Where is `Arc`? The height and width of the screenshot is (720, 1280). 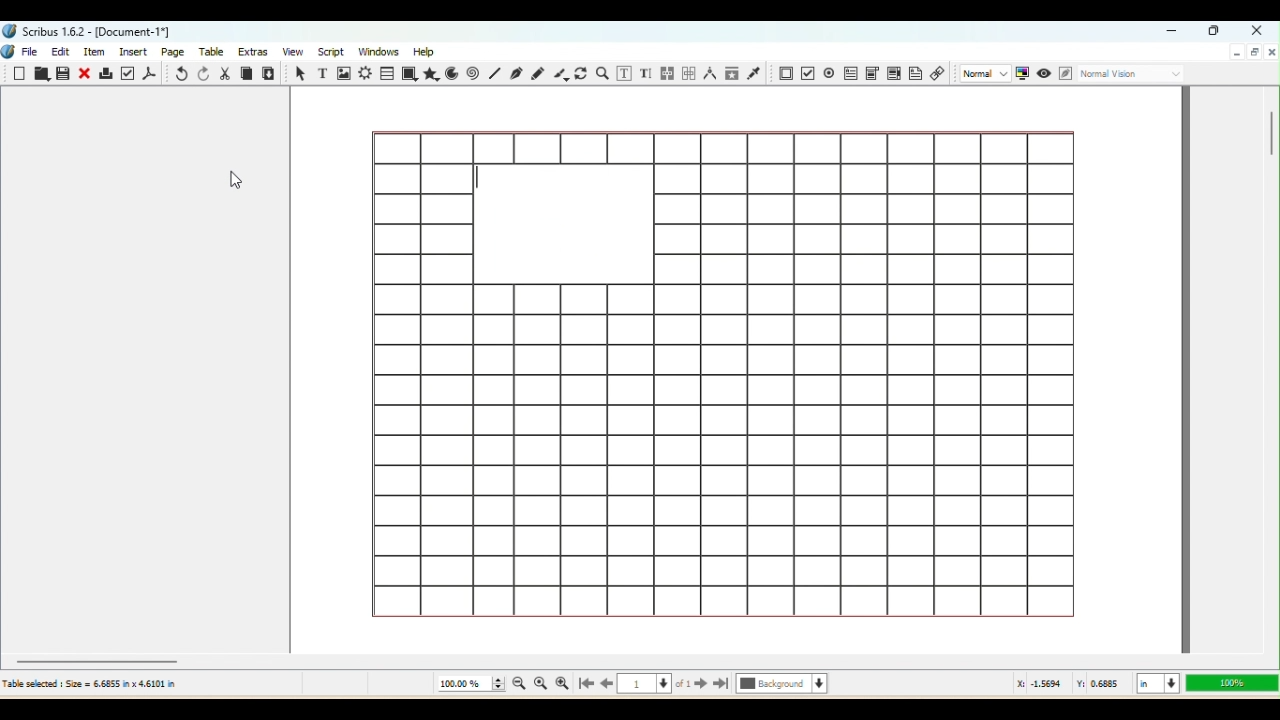 Arc is located at coordinates (454, 73).